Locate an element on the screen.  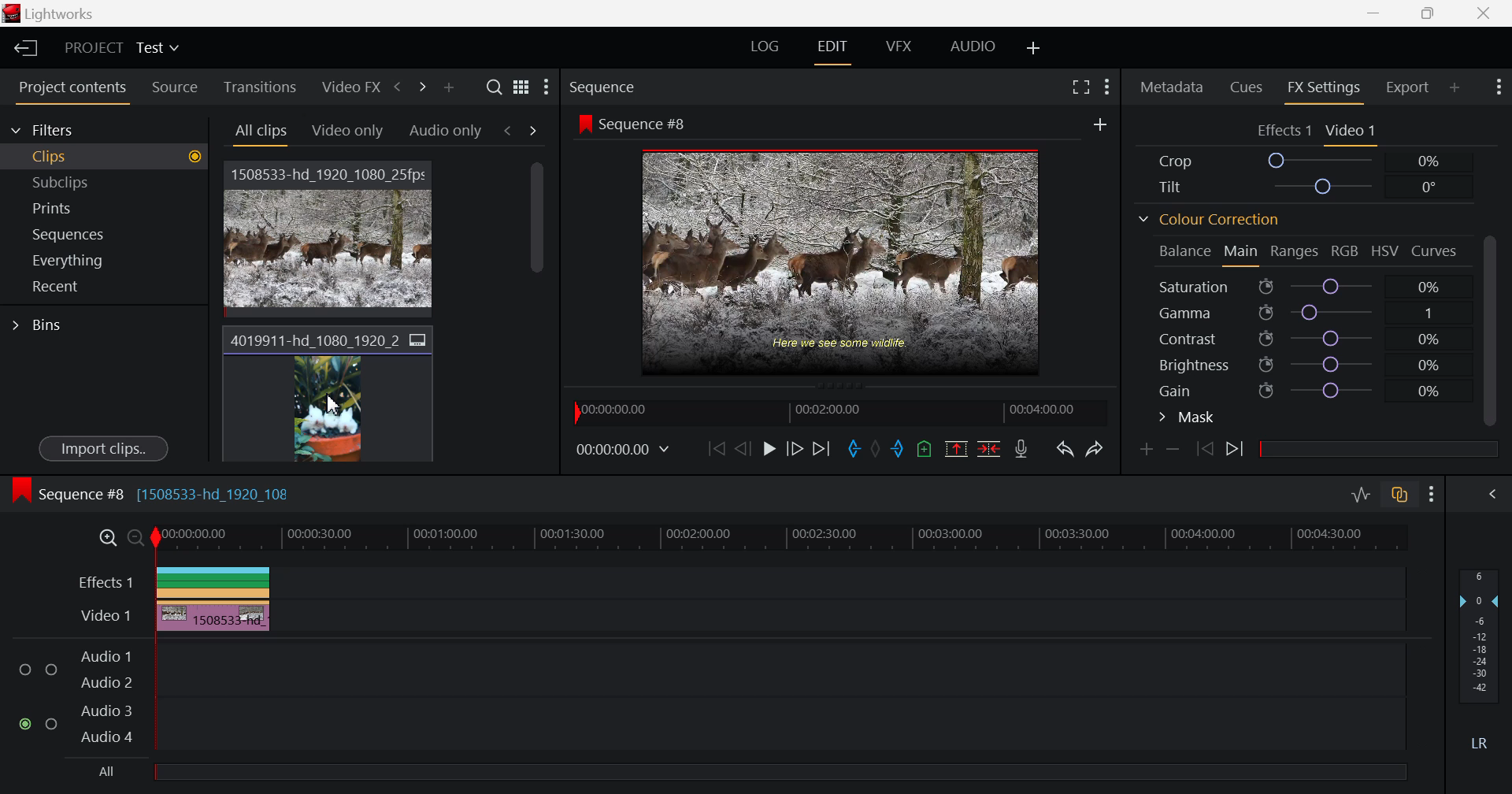
Add is located at coordinates (1100, 125).